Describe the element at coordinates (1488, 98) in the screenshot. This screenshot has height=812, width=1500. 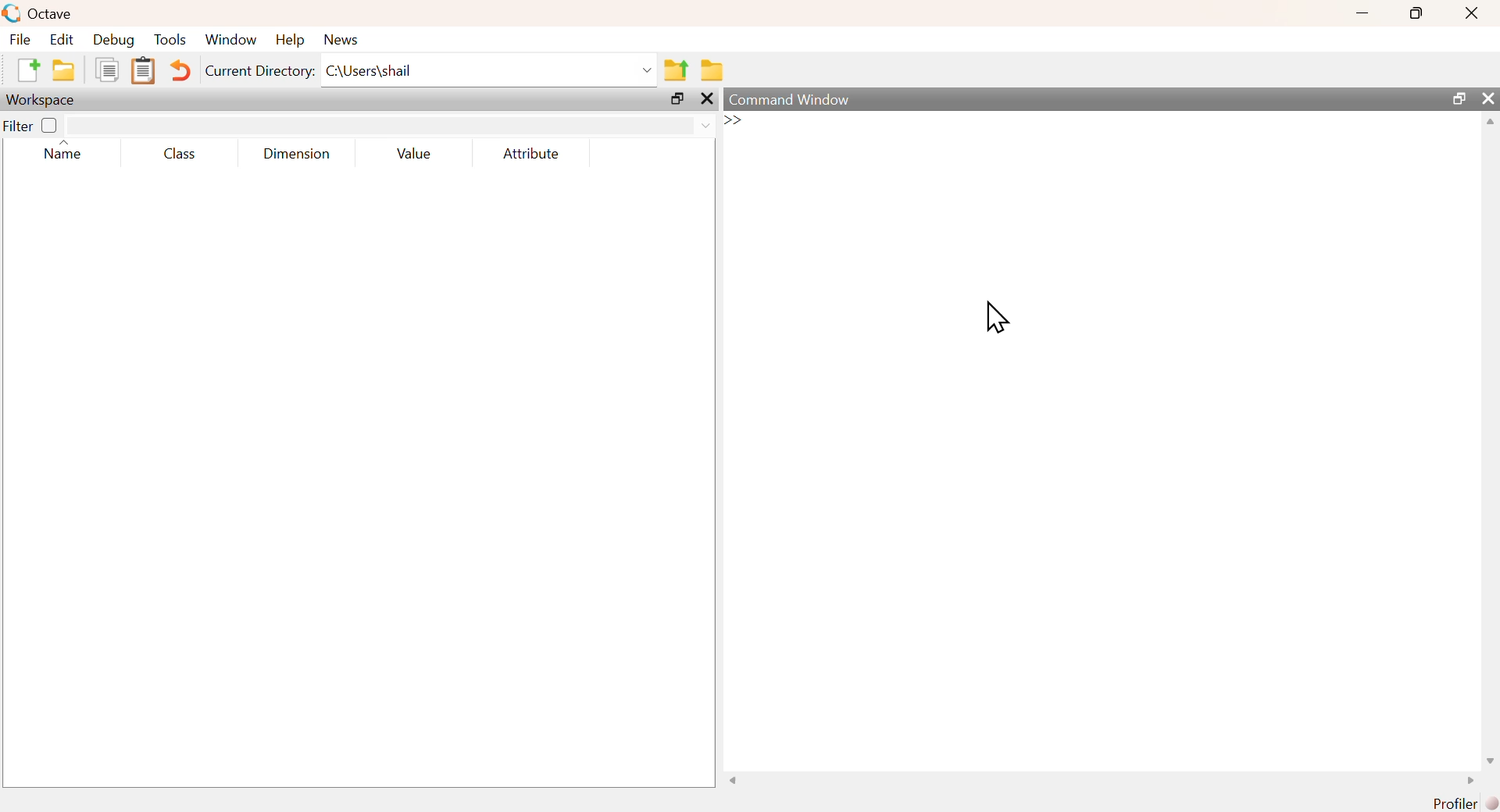
I see `close` at that location.